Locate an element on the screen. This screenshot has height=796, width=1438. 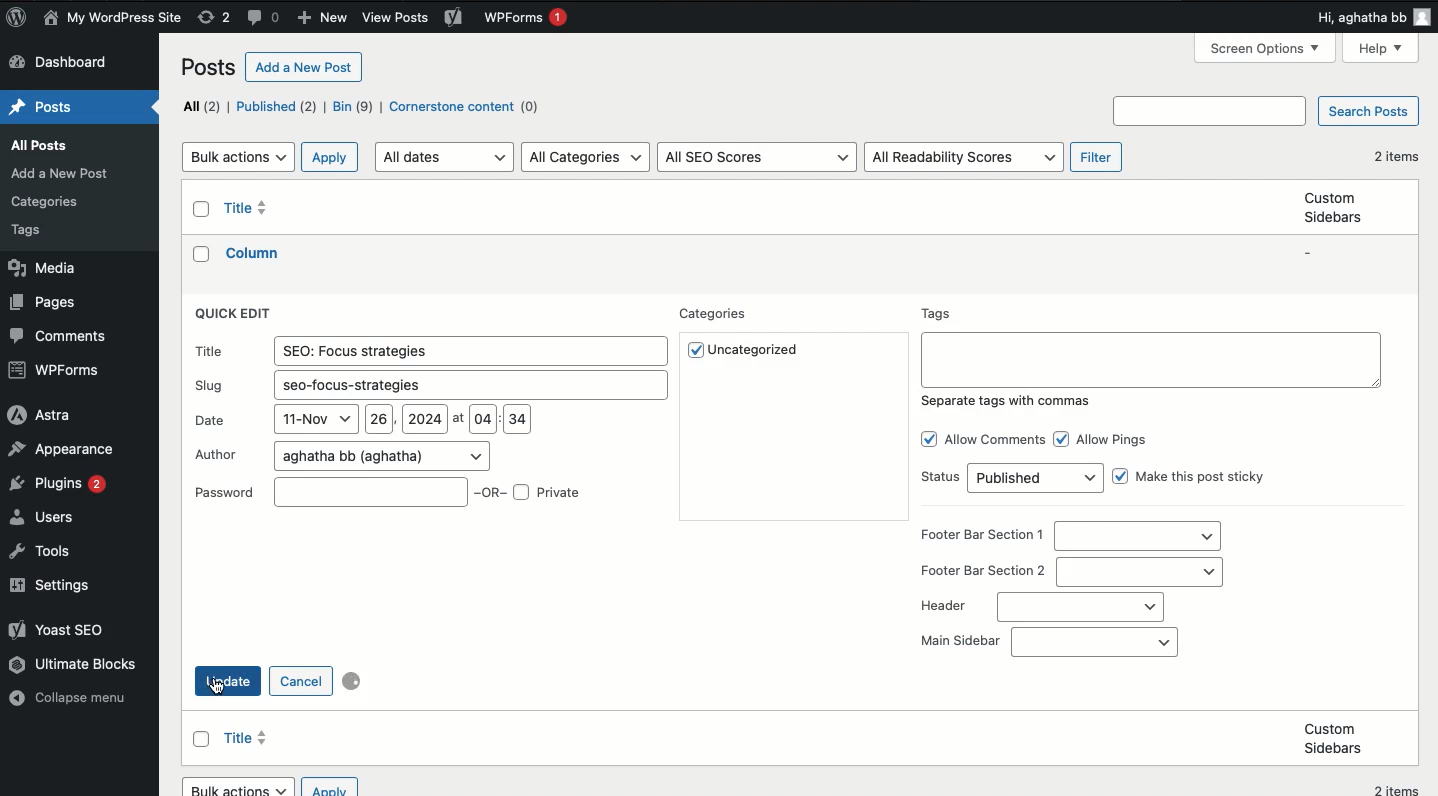
Revisions is located at coordinates (214, 18).